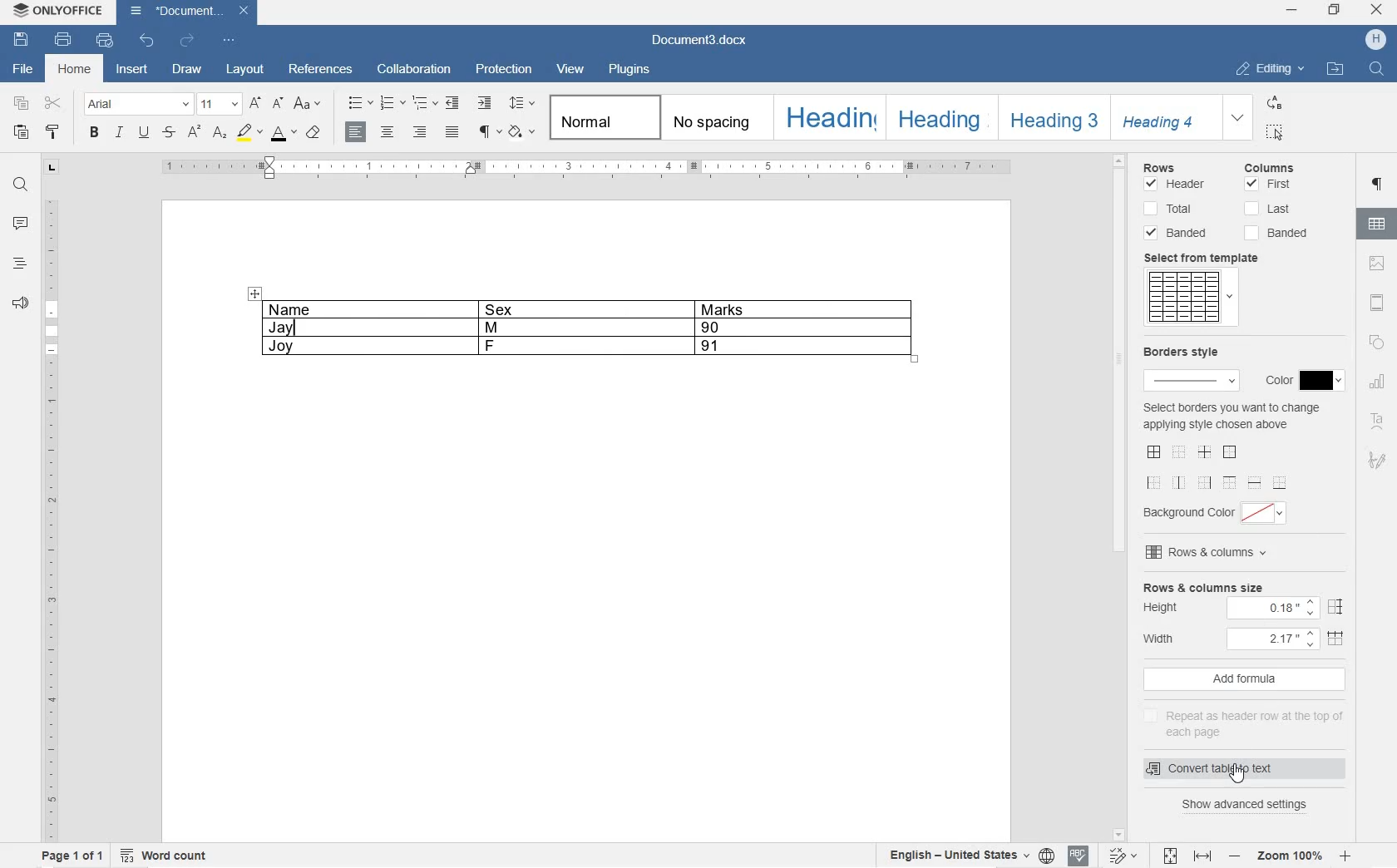 The height and width of the screenshot is (868, 1397). What do you see at coordinates (52, 131) in the screenshot?
I see `COPY STYLE` at bounding box center [52, 131].